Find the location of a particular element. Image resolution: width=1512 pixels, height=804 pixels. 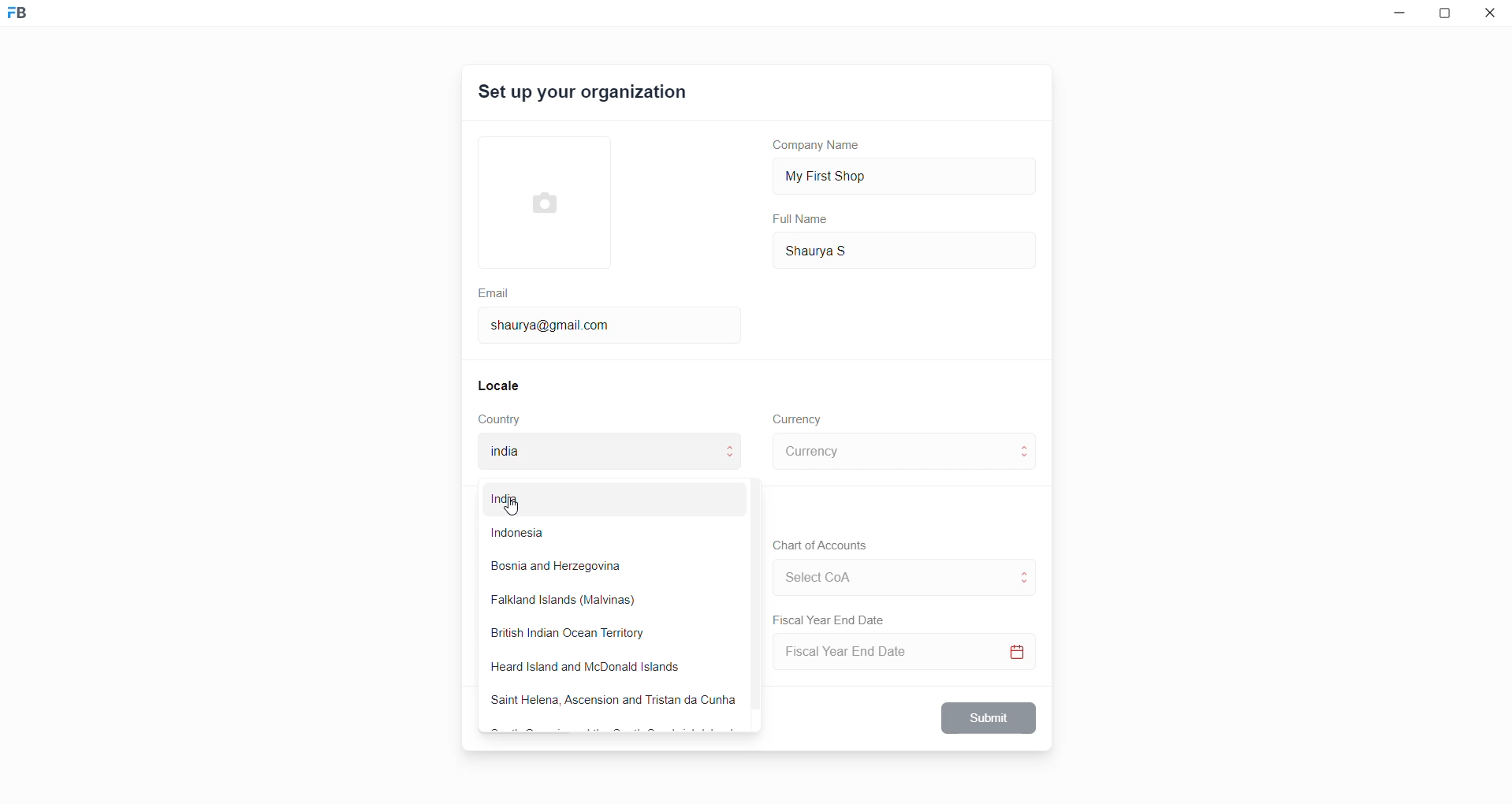

resize  is located at coordinates (1449, 16).